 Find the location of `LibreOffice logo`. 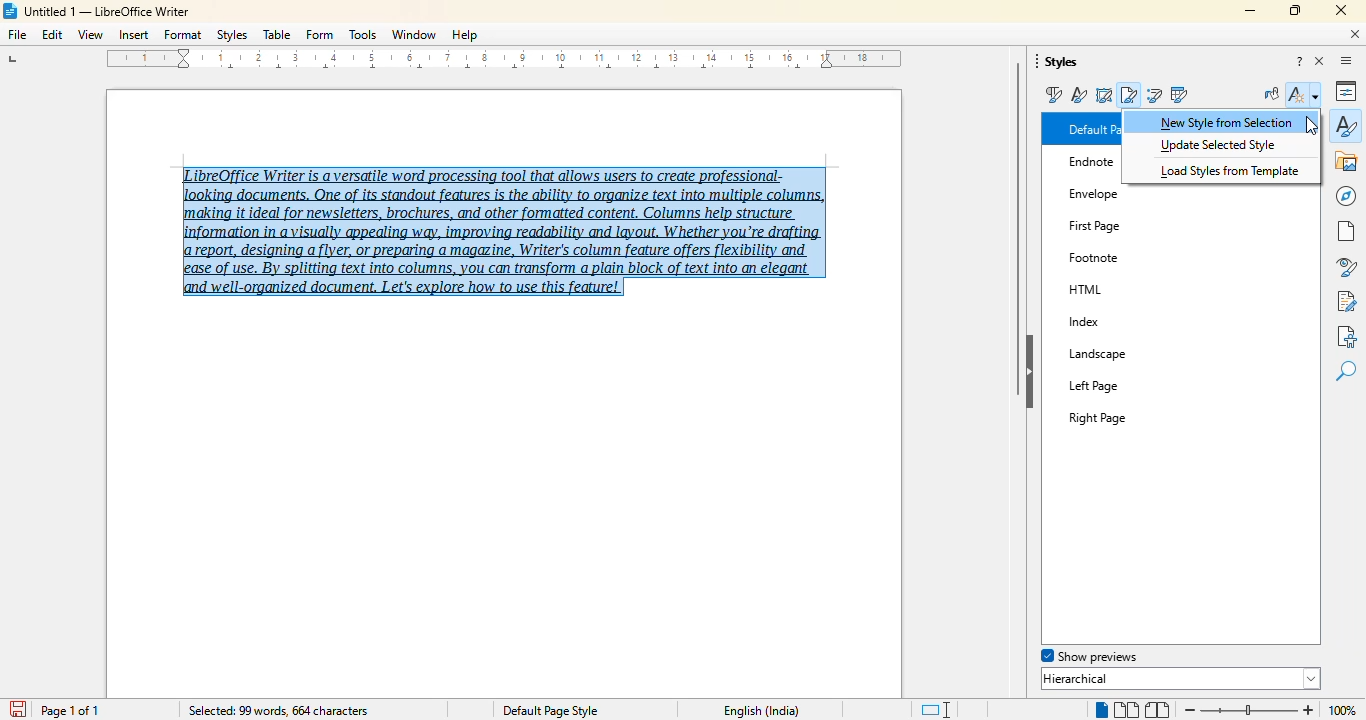

LibreOffice logo is located at coordinates (12, 10).